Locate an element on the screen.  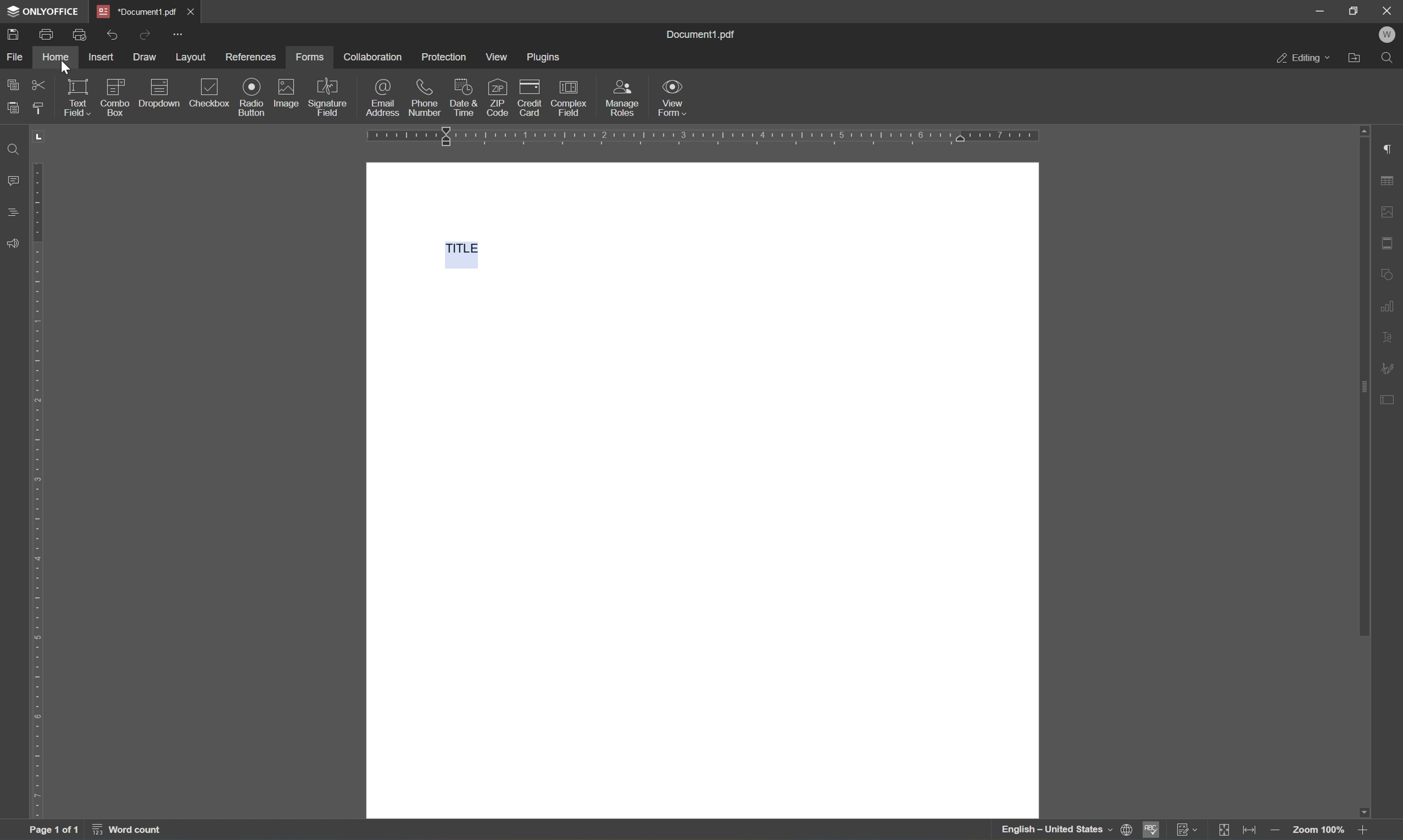
page 1 of 1 is located at coordinates (54, 828).